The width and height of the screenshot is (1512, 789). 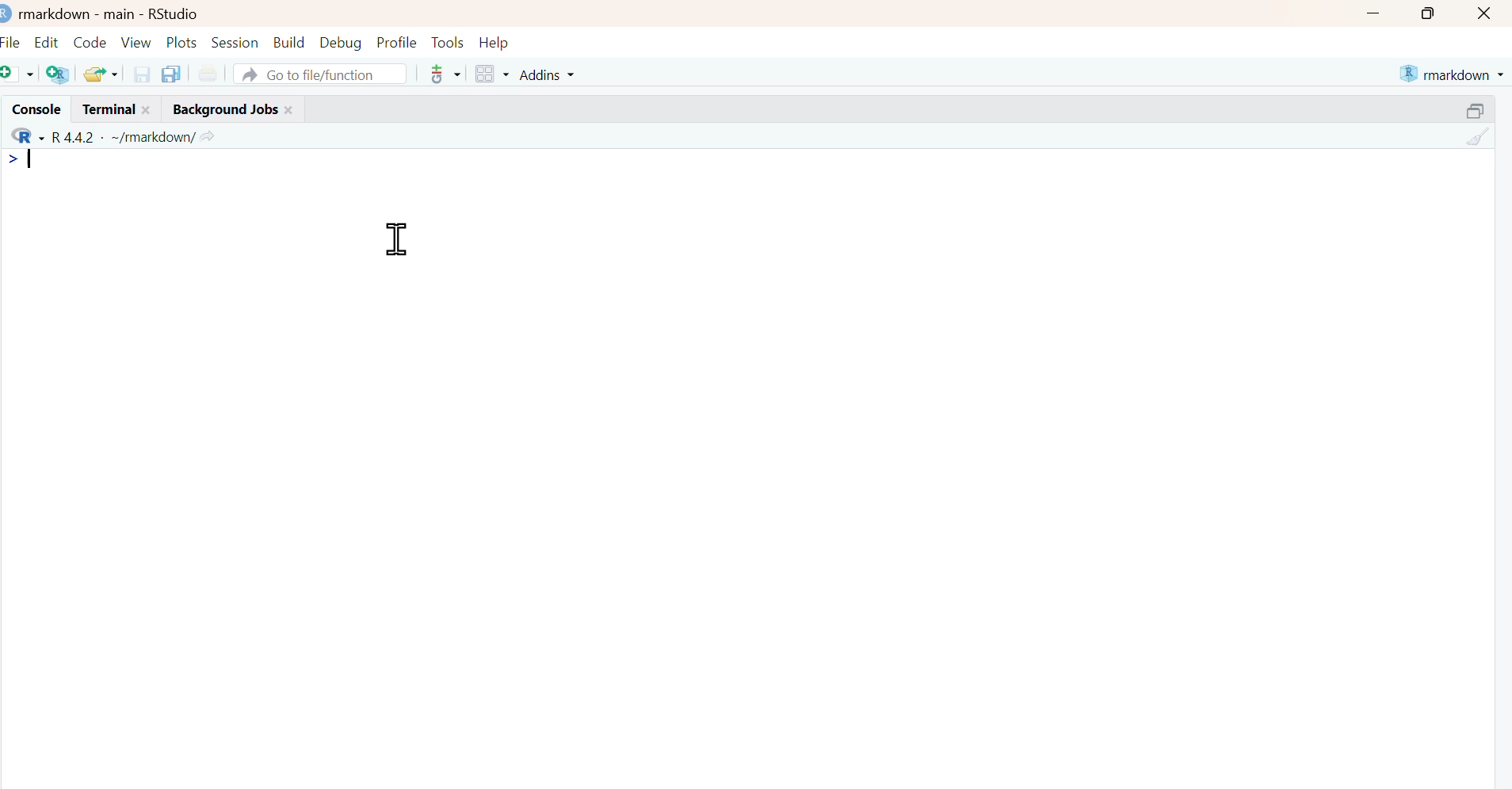 What do you see at coordinates (290, 39) in the screenshot?
I see `Build` at bounding box center [290, 39].